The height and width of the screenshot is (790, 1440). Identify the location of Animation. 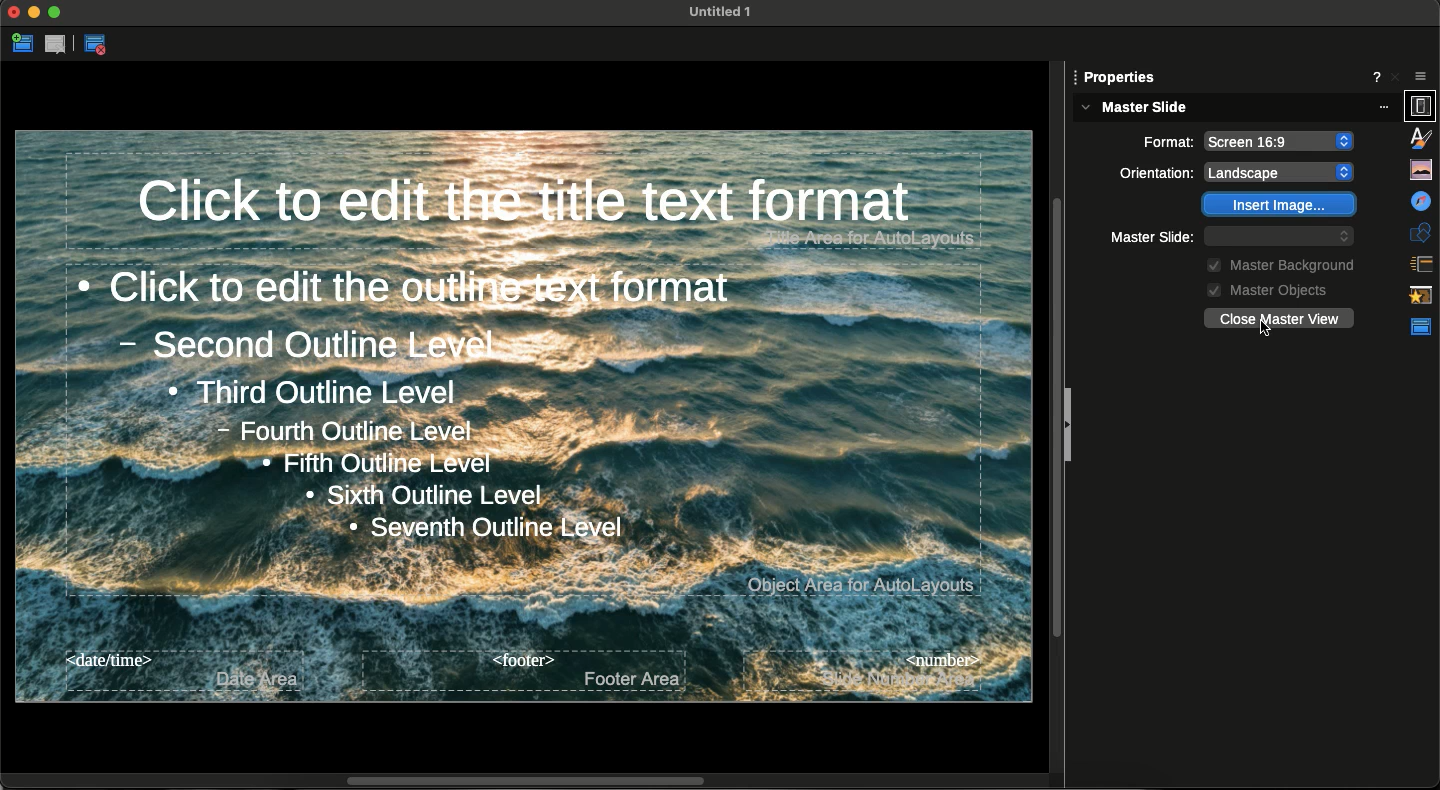
(1421, 261).